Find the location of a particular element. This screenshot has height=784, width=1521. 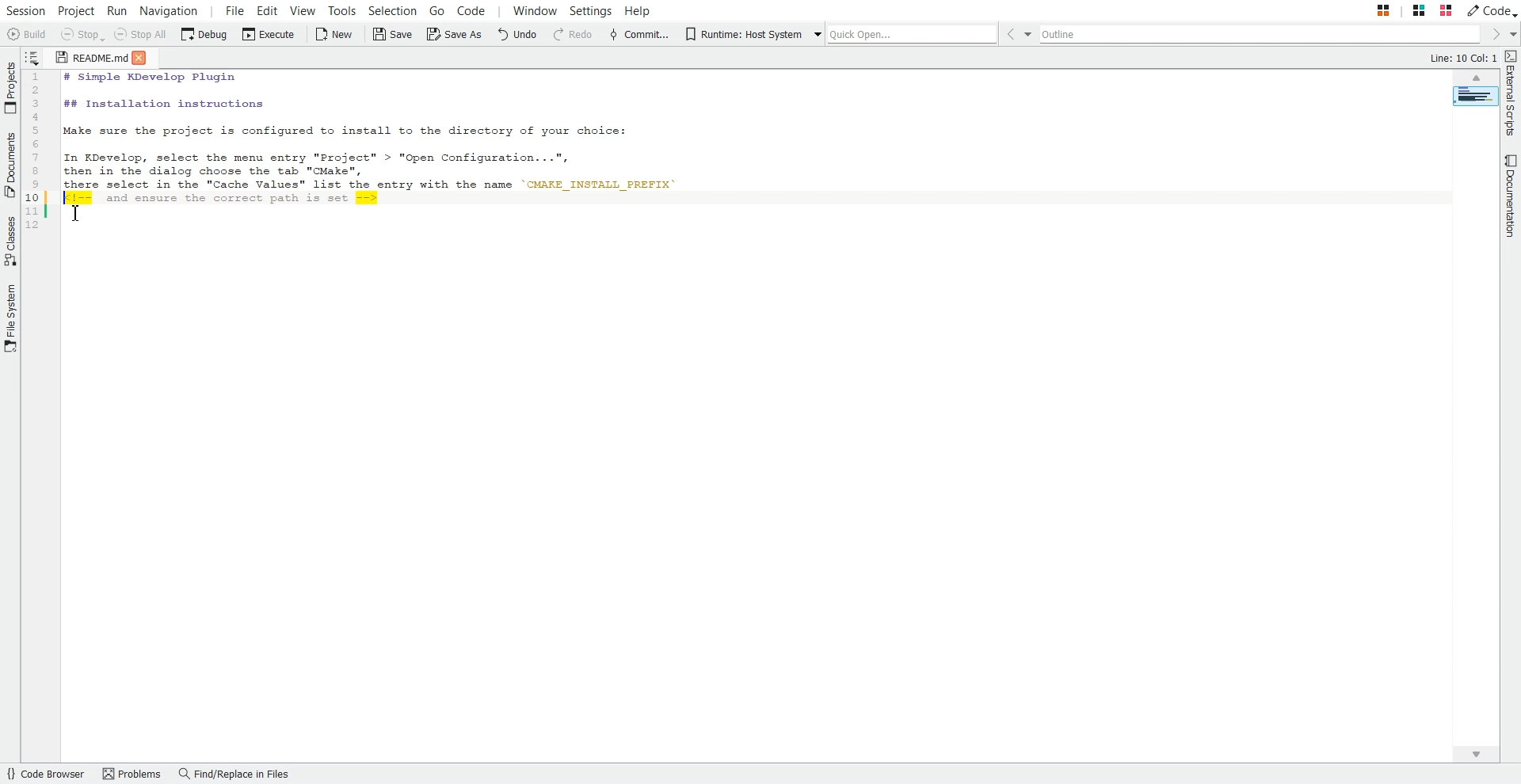

Close is located at coordinates (143, 59).